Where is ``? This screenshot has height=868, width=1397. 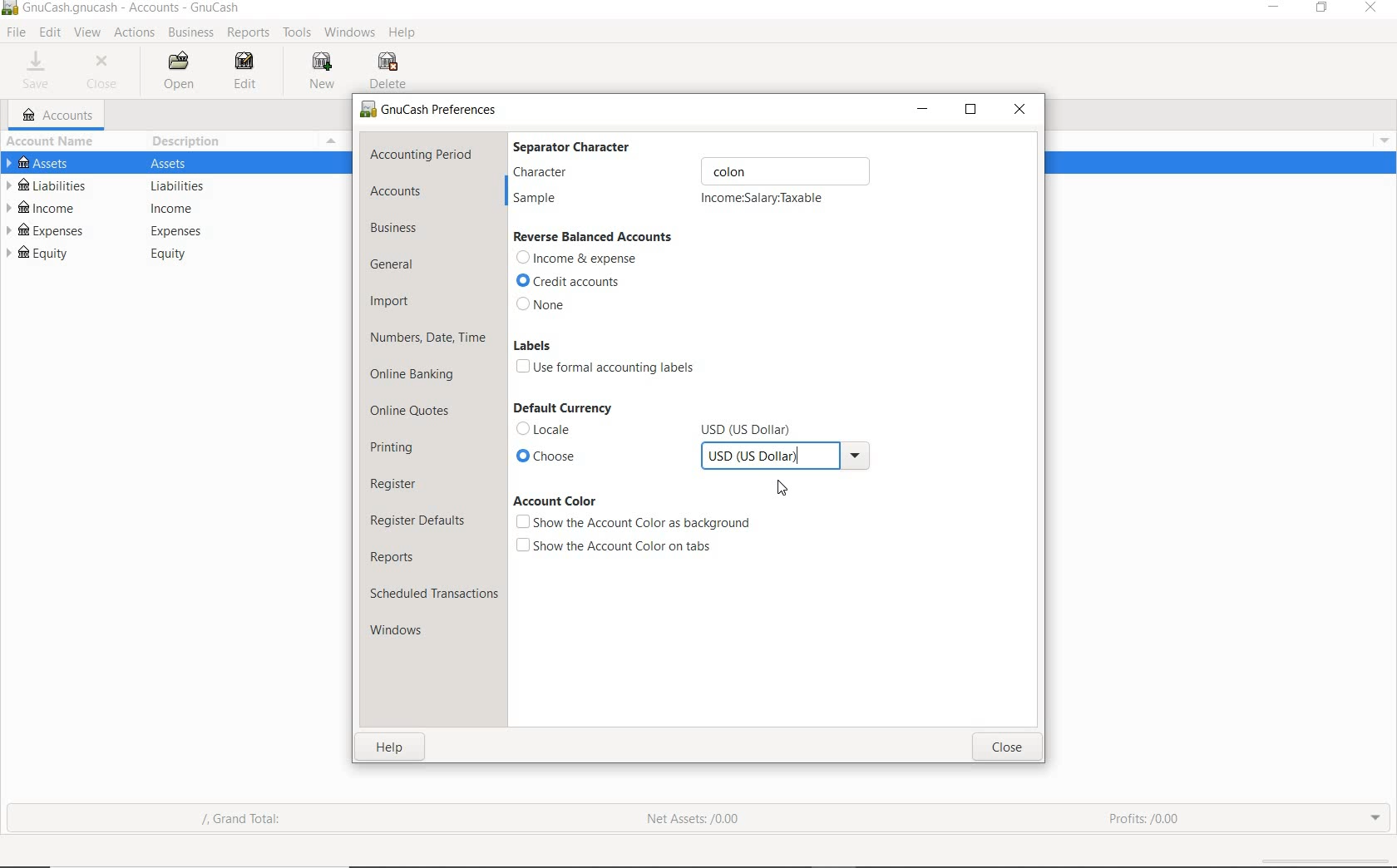
 is located at coordinates (178, 231).